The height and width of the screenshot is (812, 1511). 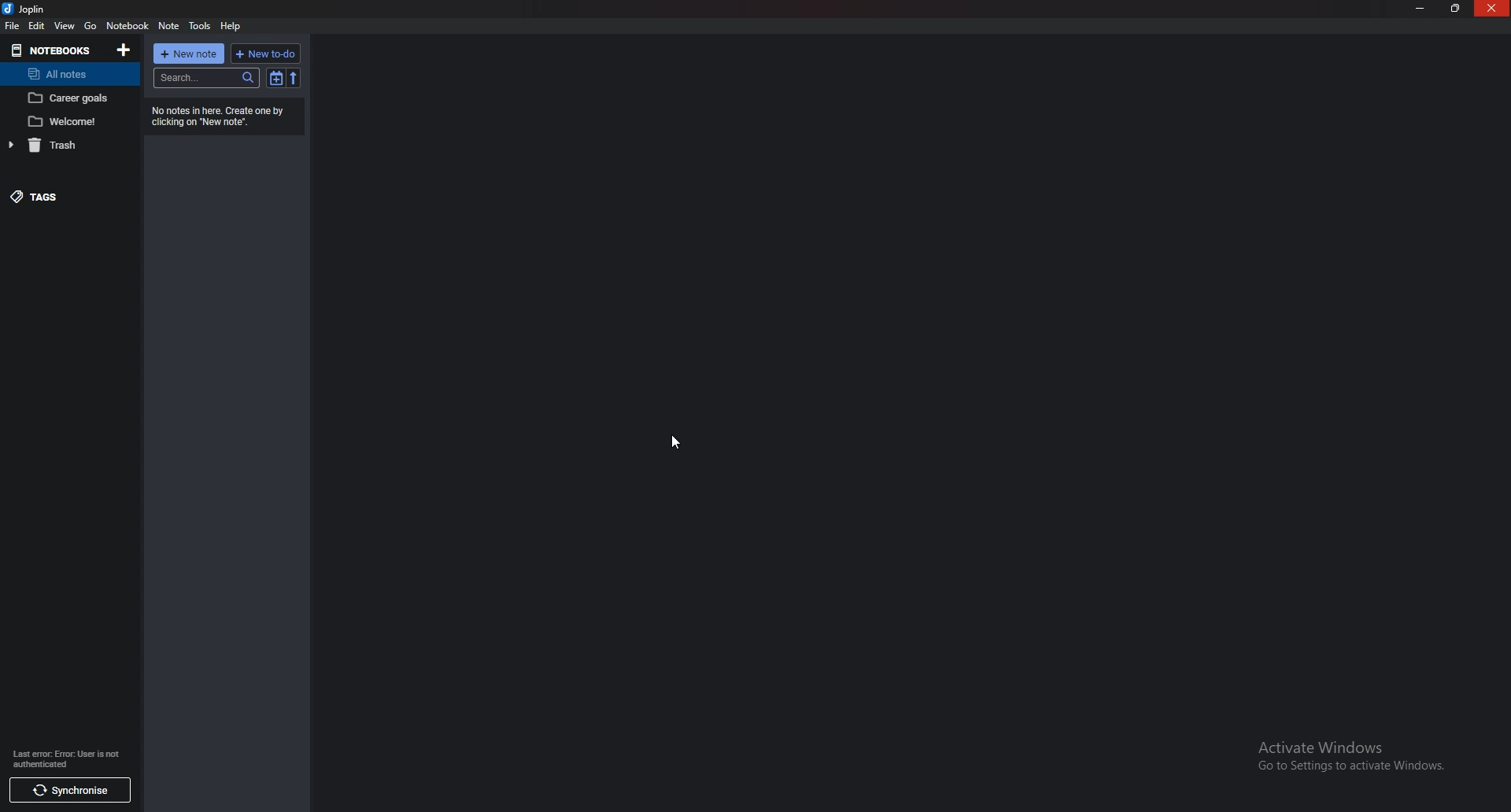 What do you see at coordinates (127, 27) in the screenshot?
I see `Note book` at bounding box center [127, 27].